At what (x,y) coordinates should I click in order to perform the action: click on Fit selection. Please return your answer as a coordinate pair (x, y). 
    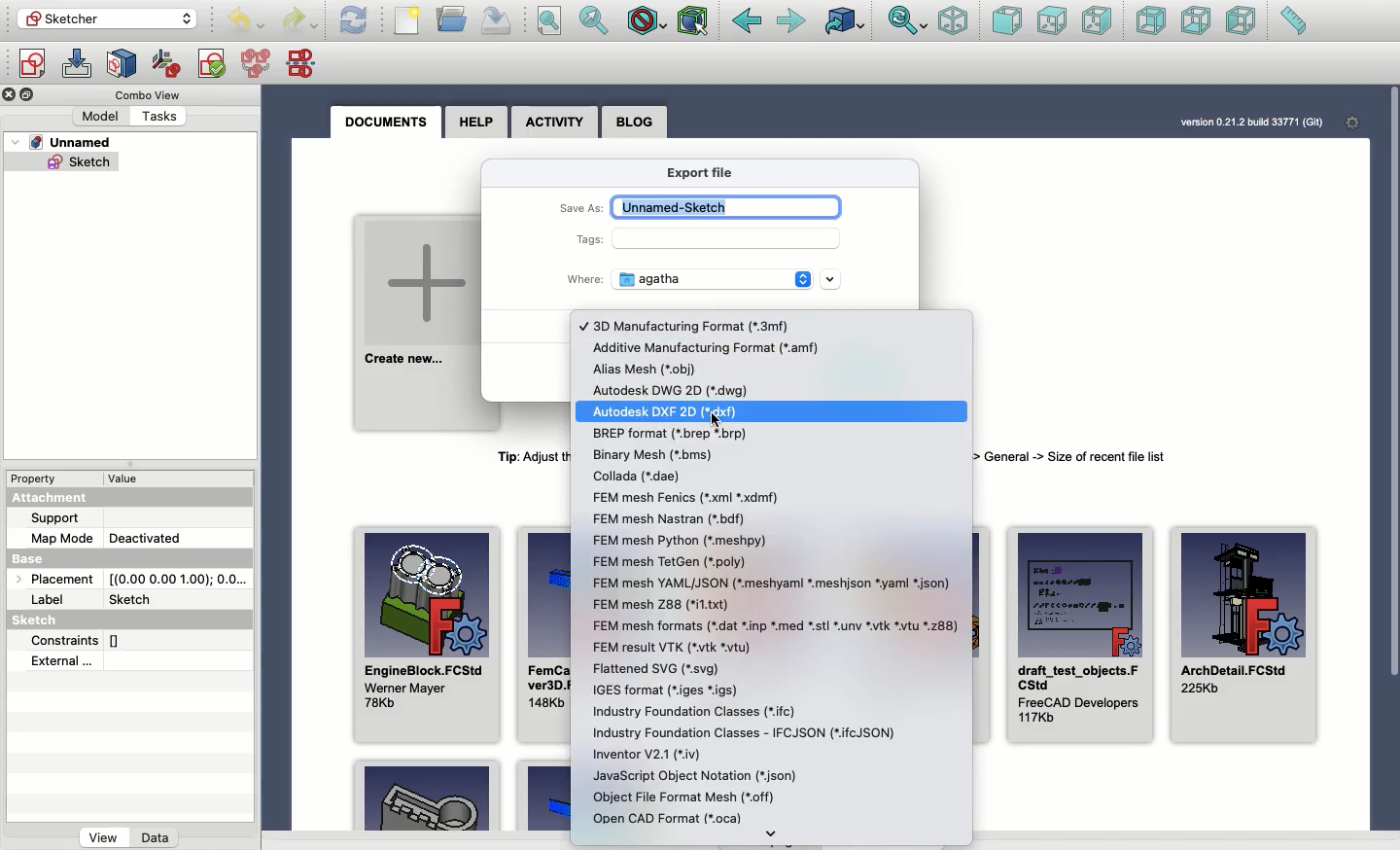
    Looking at the image, I should click on (593, 20).